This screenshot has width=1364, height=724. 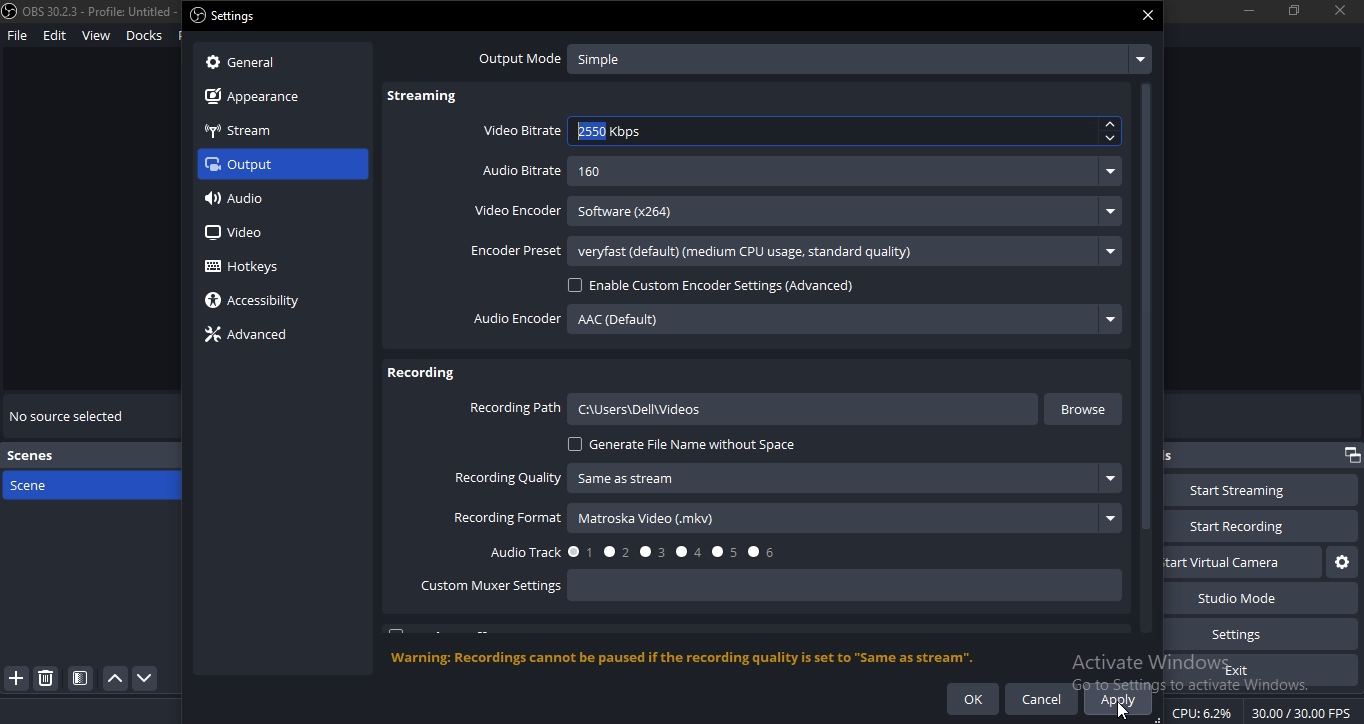 I want to click on close, so click(x=1341, y=11).